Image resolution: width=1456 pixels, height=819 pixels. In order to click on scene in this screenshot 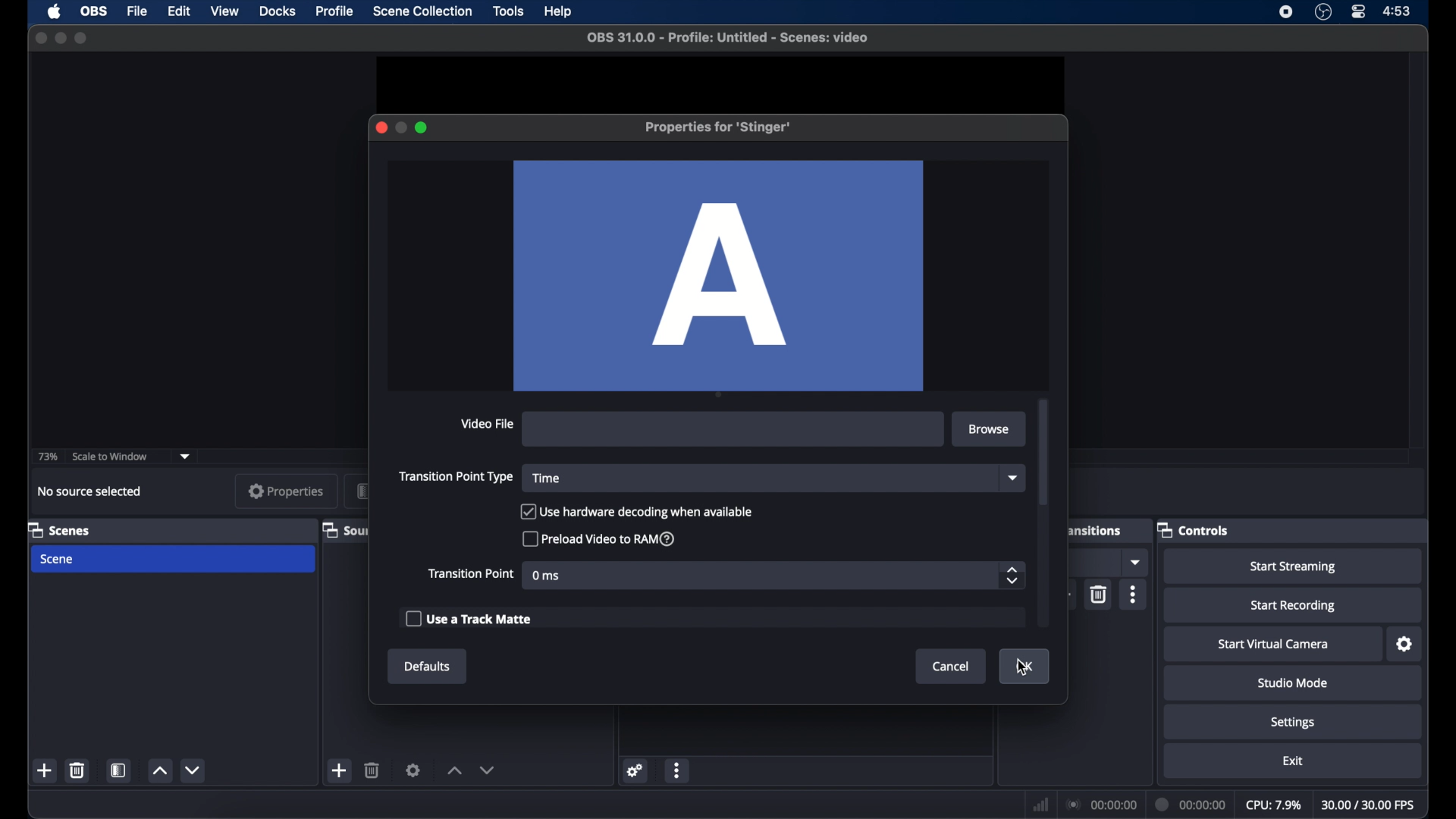, I will do `click(58, 560)`.